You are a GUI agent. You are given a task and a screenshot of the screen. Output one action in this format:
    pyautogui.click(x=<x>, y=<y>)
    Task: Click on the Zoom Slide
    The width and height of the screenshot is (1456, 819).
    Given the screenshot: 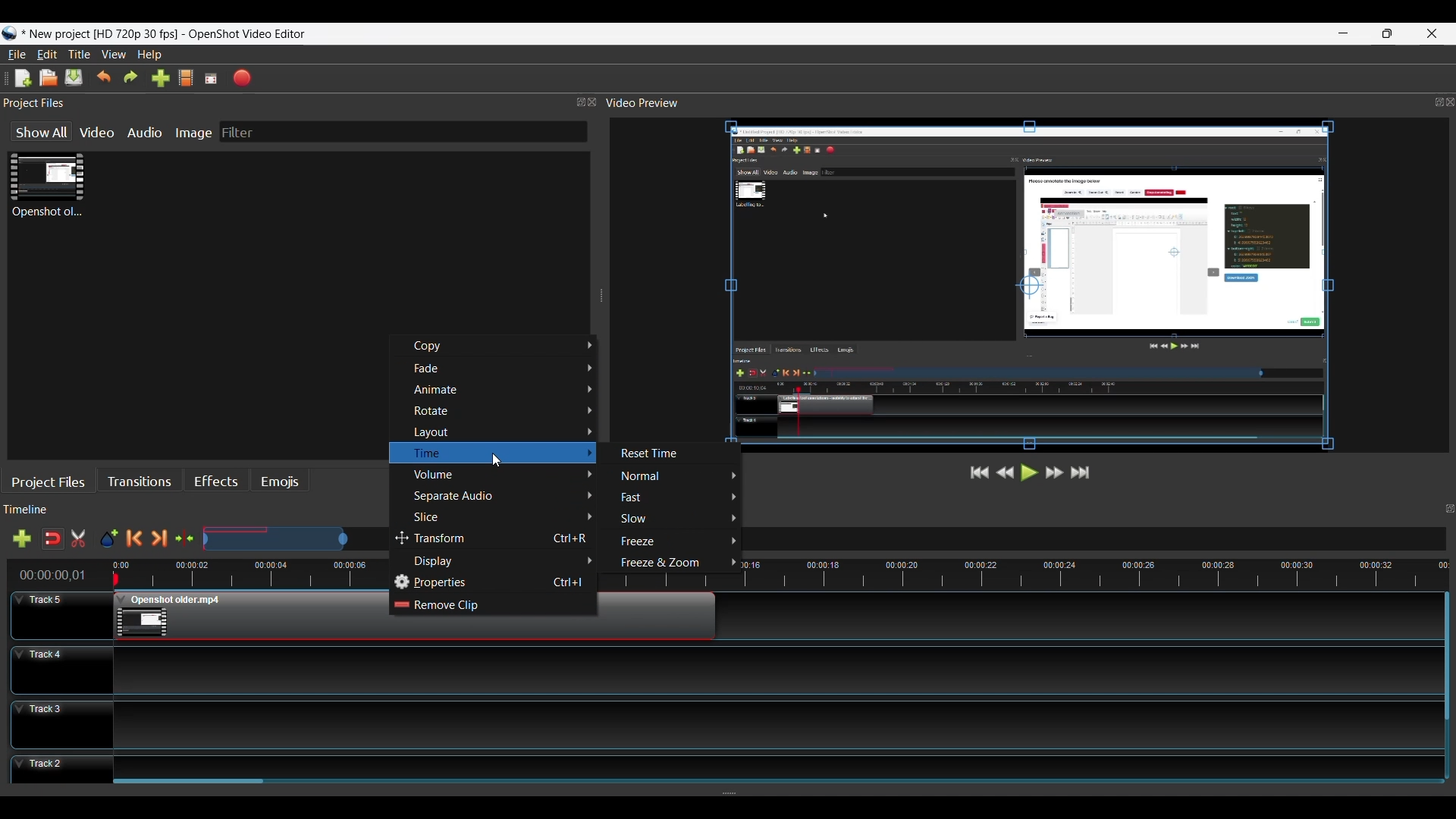 What is the action you would take?
    pyautogui.click(x=295, y=537)
    